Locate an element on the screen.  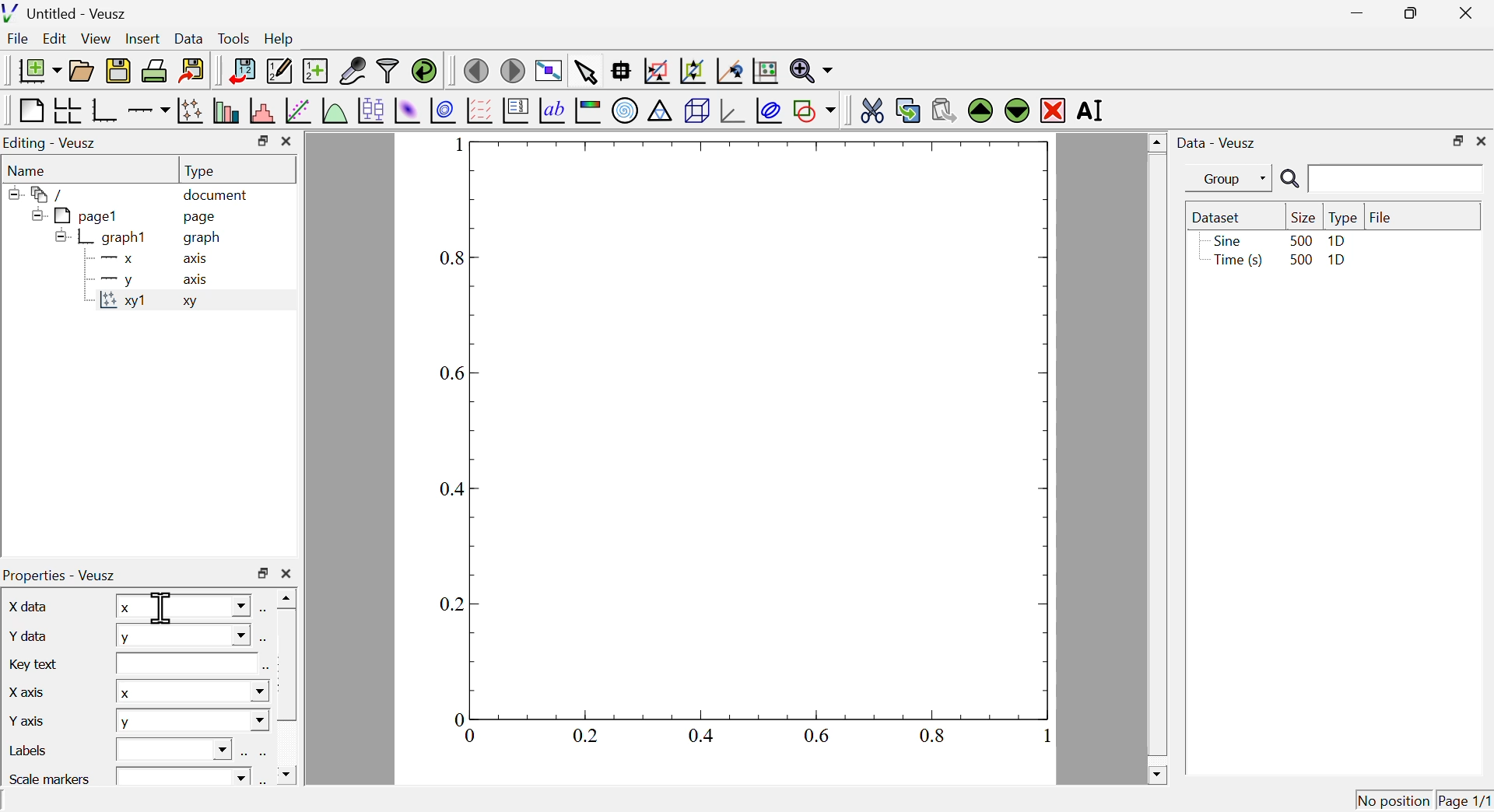
zoom out of graph axes is located at coordinates (693, 71).